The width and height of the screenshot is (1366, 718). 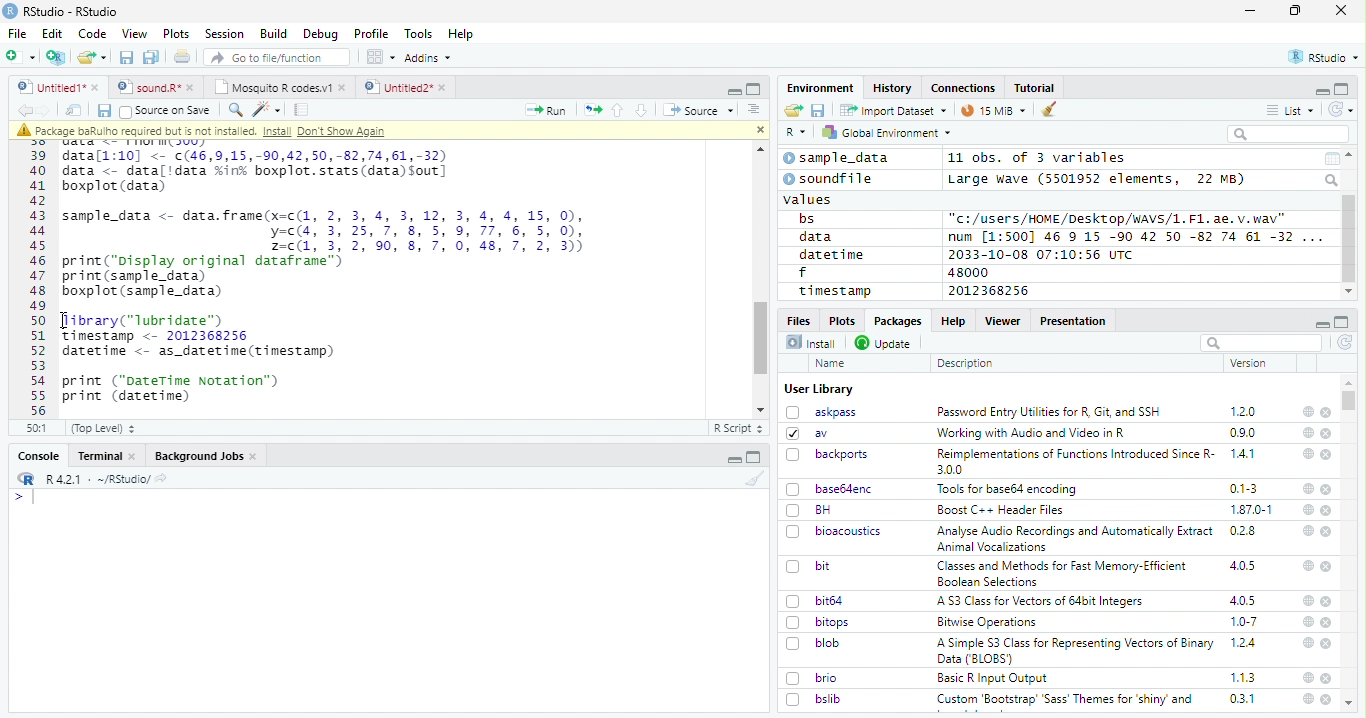 I want to click on Boost C++ Header Files, so click(x=998, y=511).